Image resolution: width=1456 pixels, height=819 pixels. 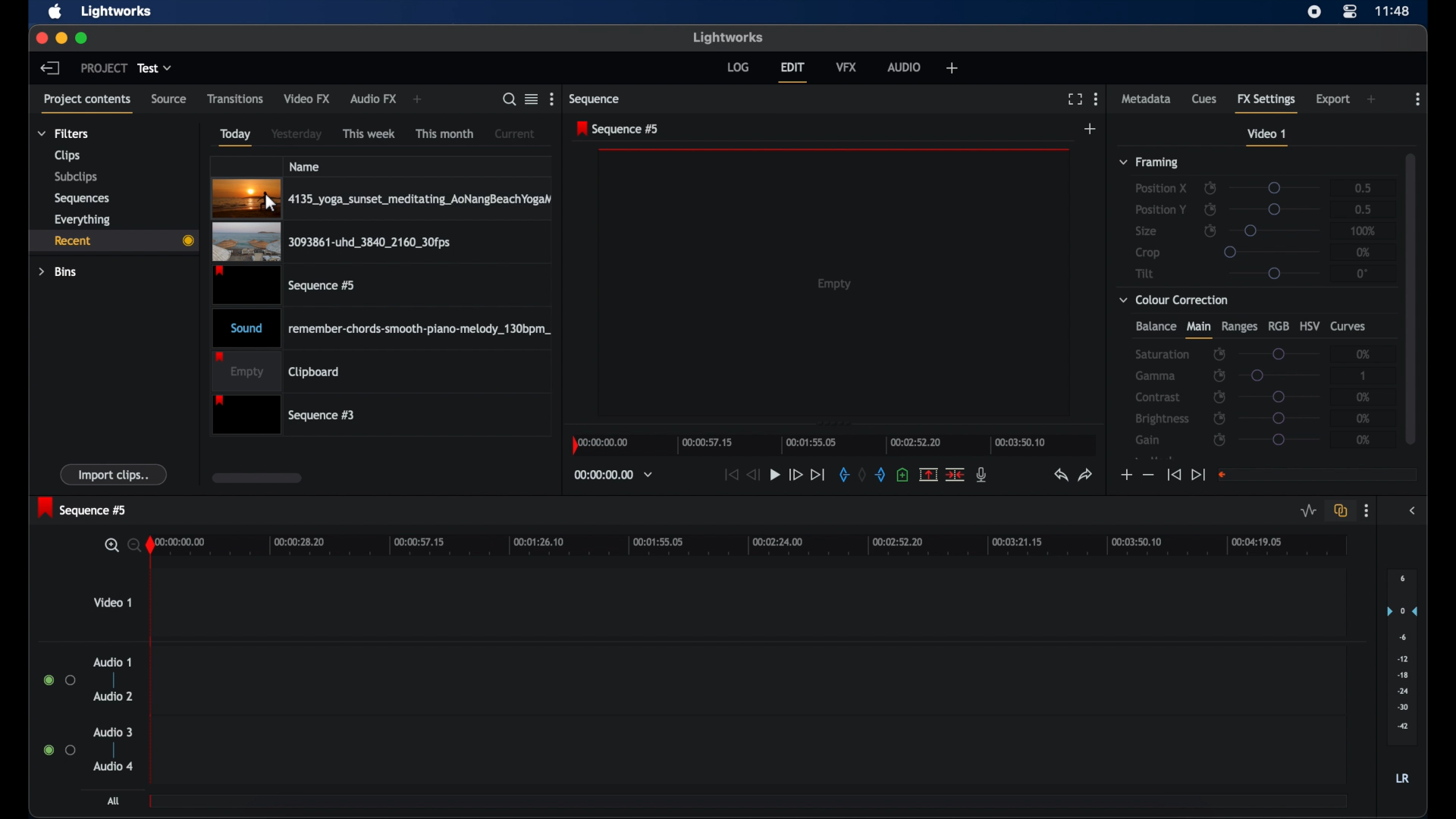 What do you see at coordinates (881, 474) in the screenshot?
I see `out mark` at bounding box center [881, 474].